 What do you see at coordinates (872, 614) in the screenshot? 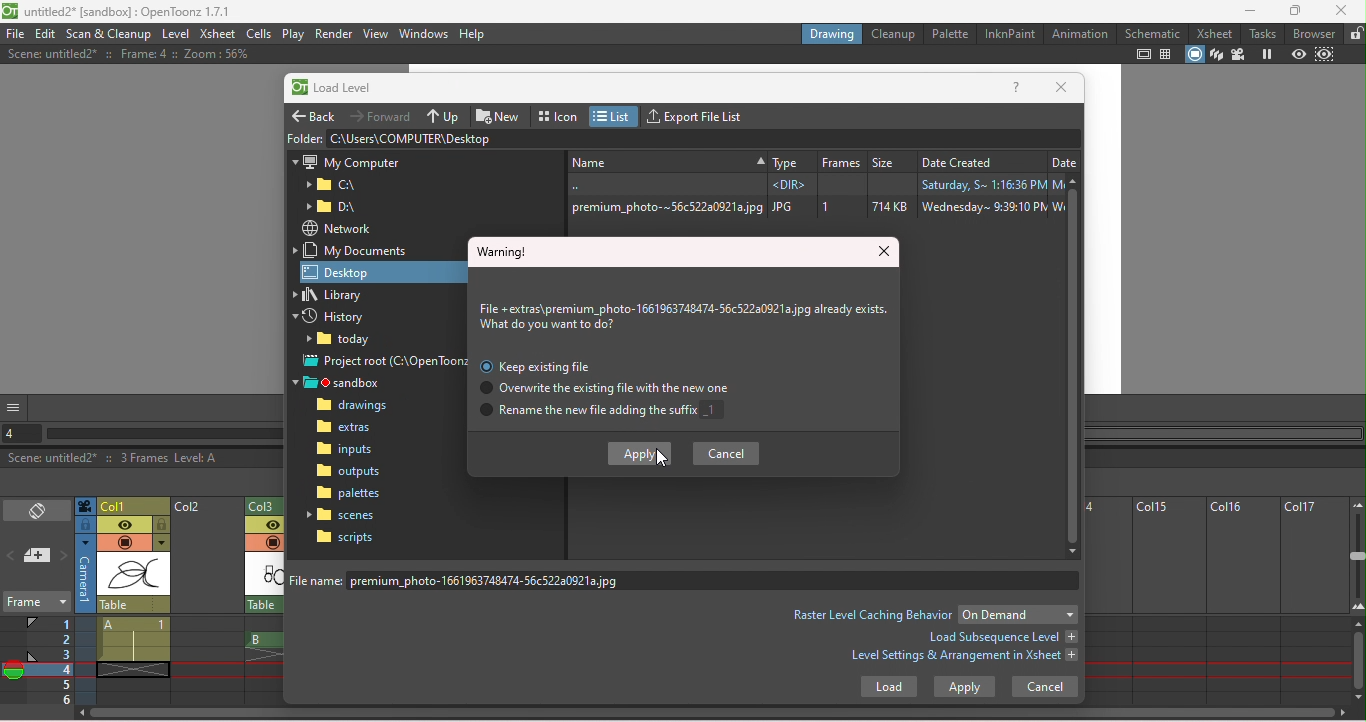
I see `Raster level caching behvior` at bounding box center [872, 614].